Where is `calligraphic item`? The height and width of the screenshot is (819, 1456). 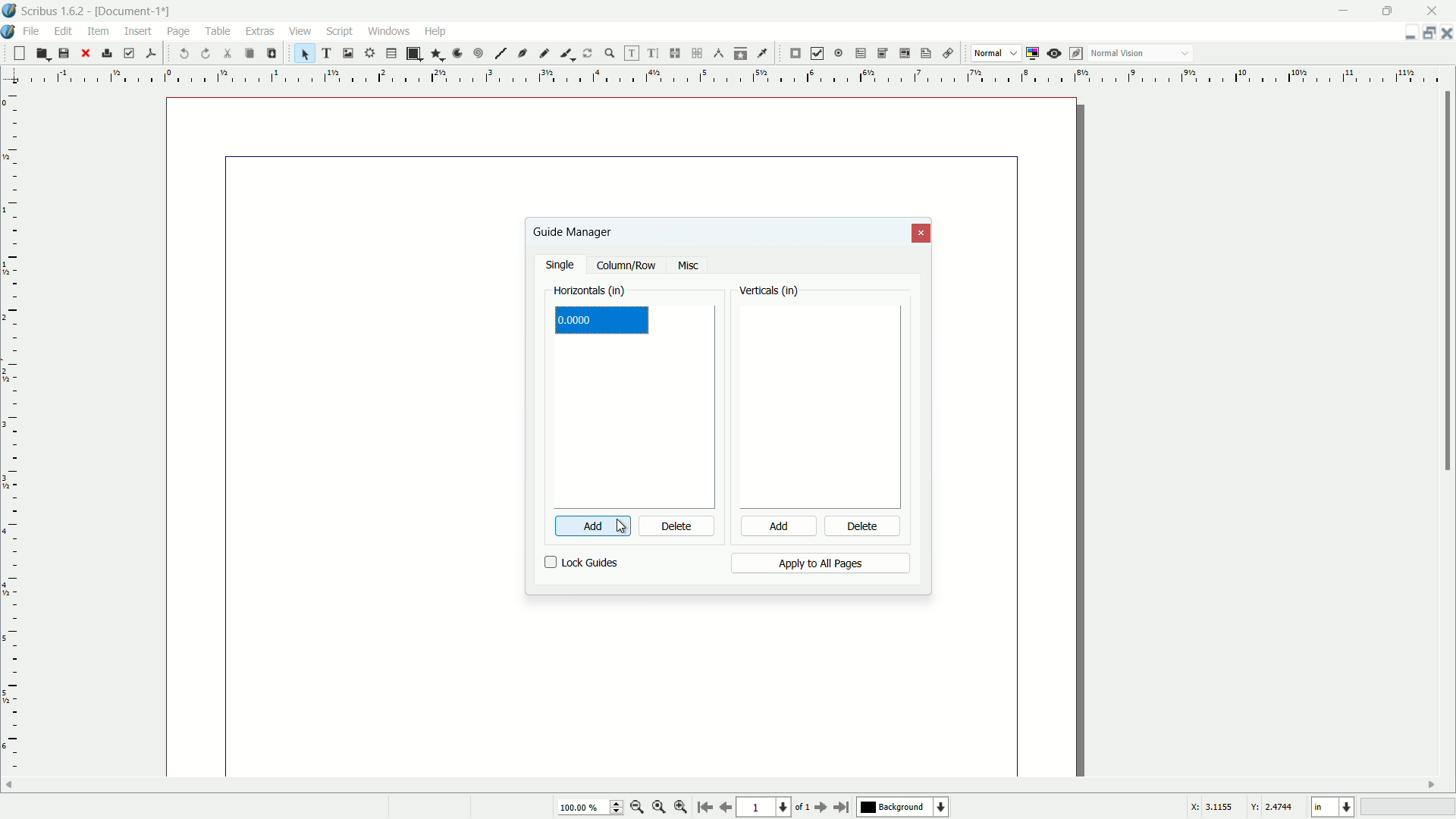
calligraphic item is located at coordinates (565, 53).